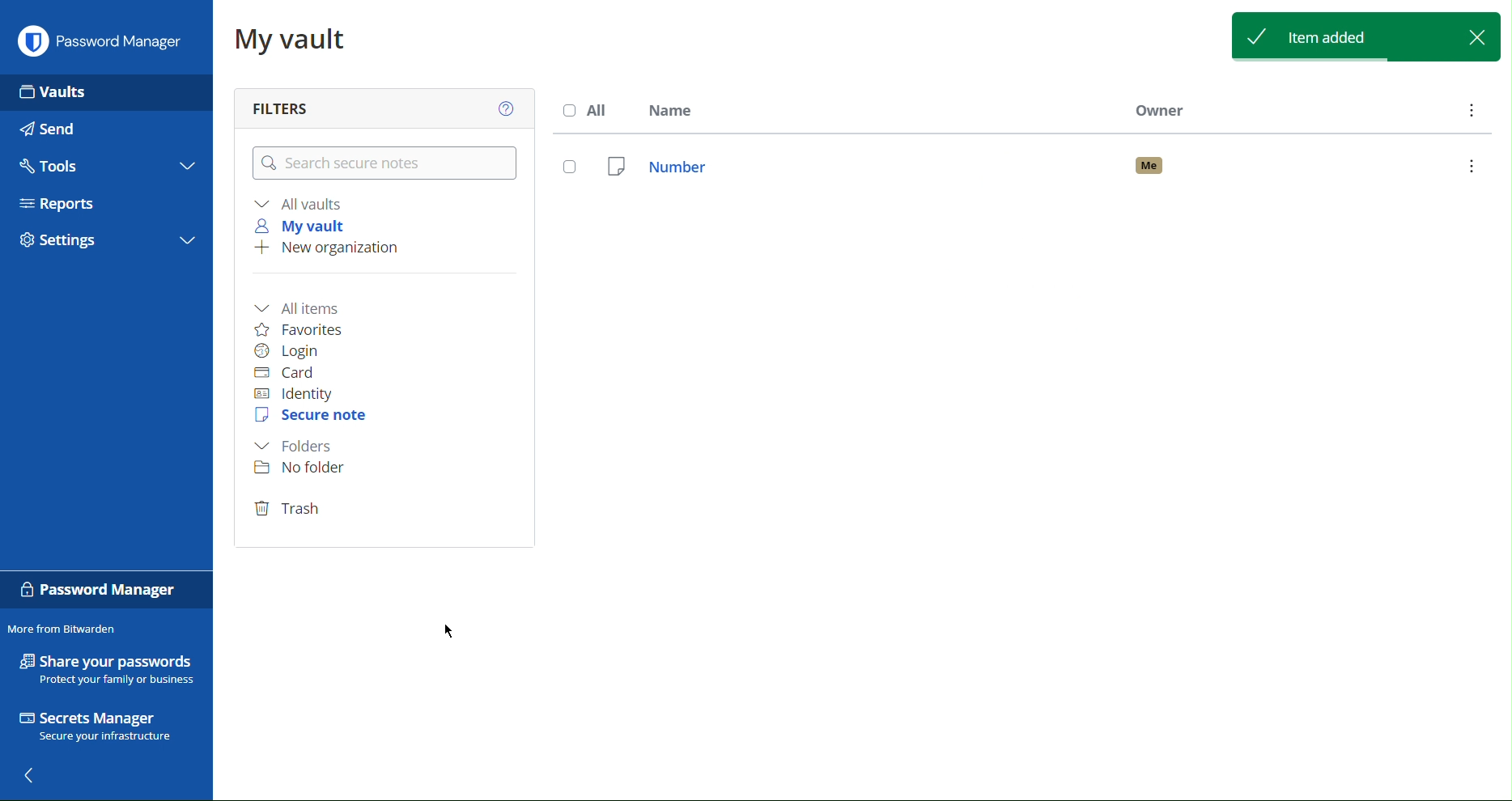  Describe the element at coordinates (298, 41) in the screenshot. I see `My vault` at that location.